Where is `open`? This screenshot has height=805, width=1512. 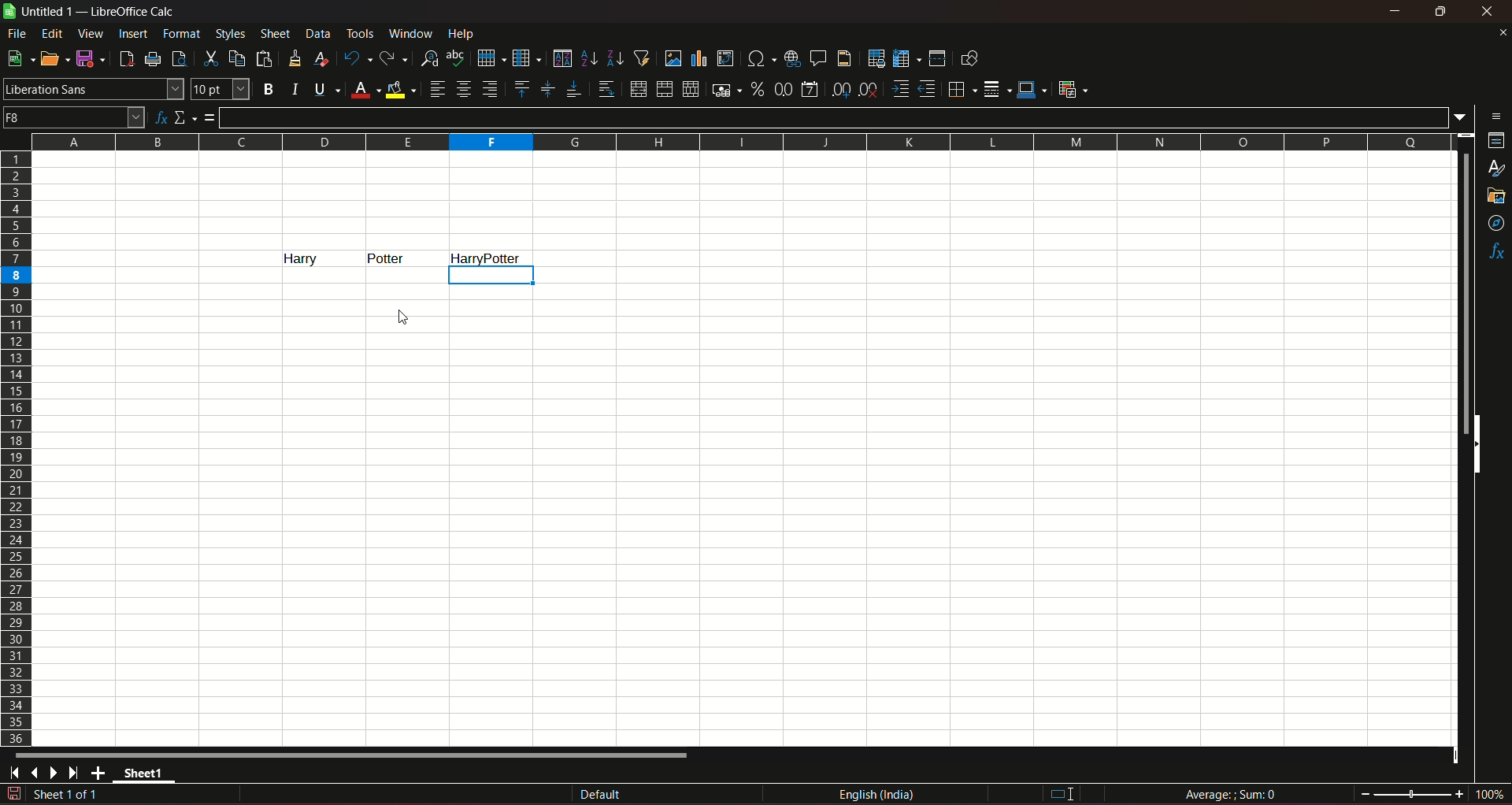 open is located at coordinates (51, 58).